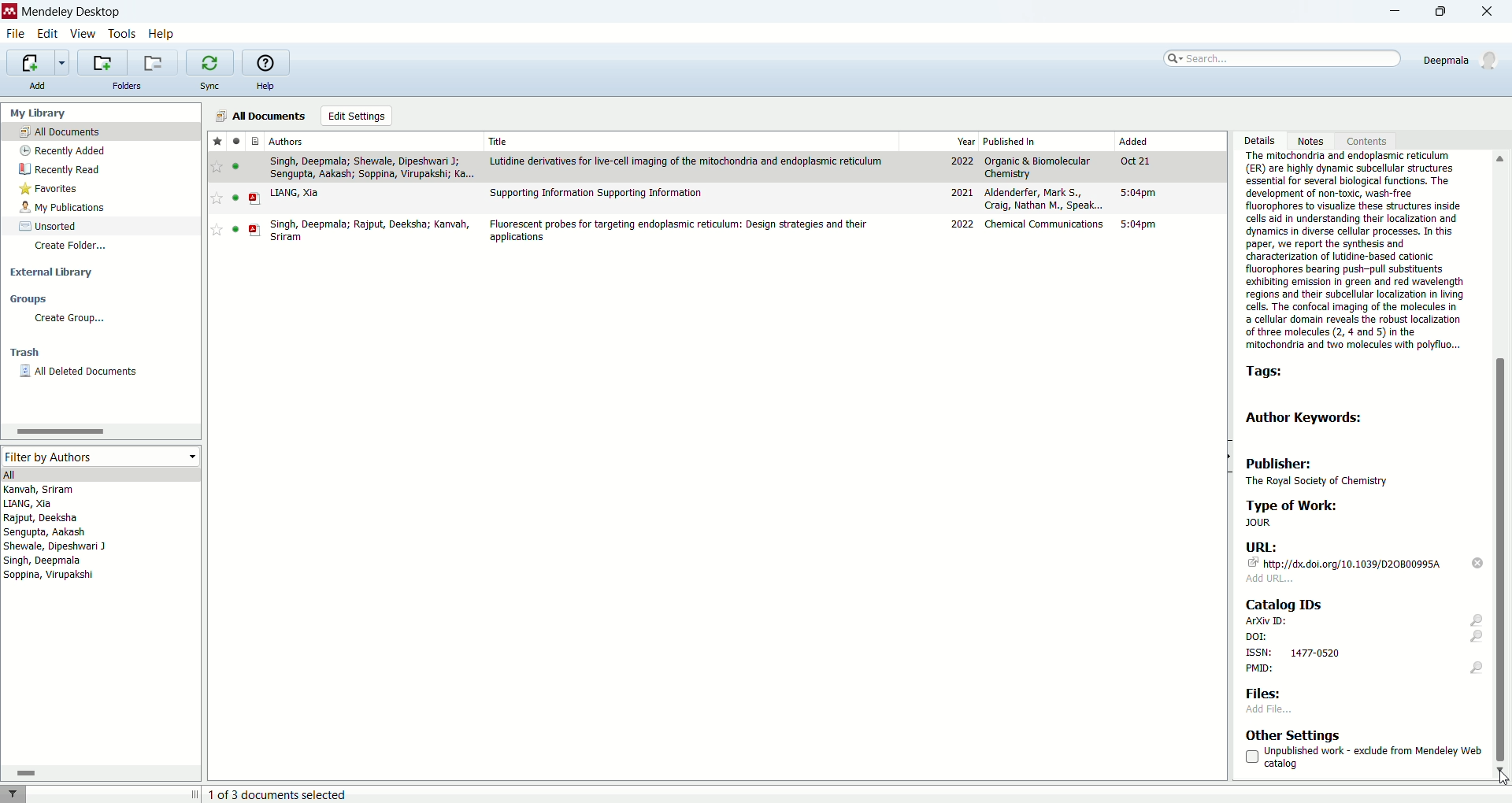  Describe the element at coordinates (1344, 513) in the screenshot. I see `type of work: JOUR` at that location.